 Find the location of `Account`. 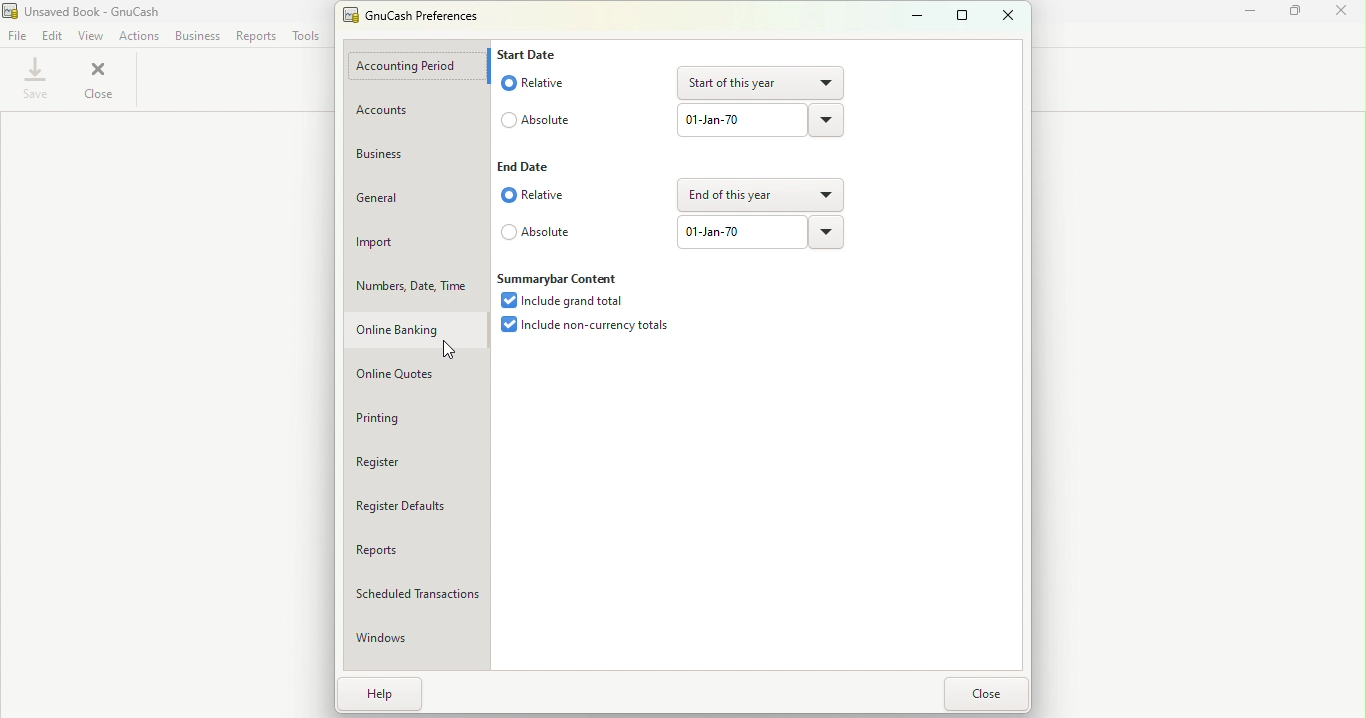

Account is located at coordinates (412, 111).